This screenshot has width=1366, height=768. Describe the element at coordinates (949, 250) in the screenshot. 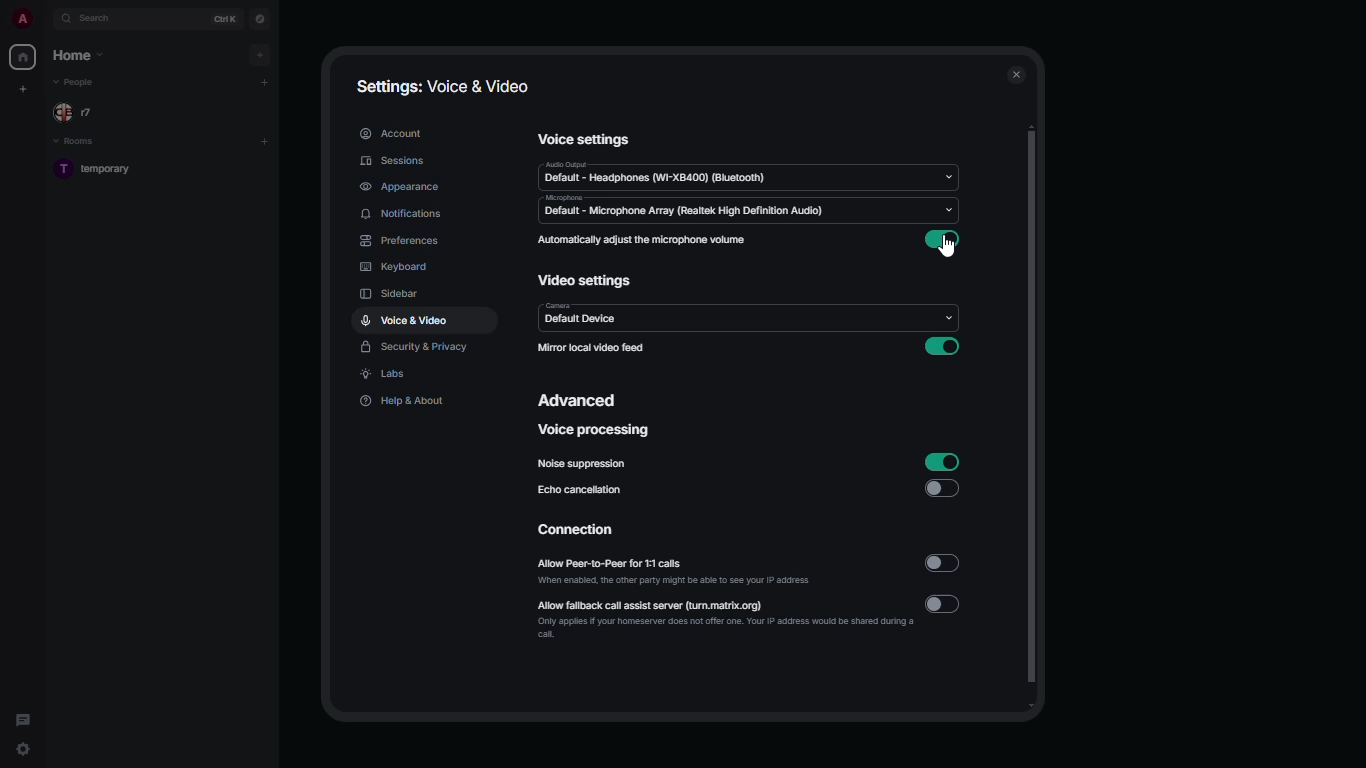

I see `cursor` at that location.